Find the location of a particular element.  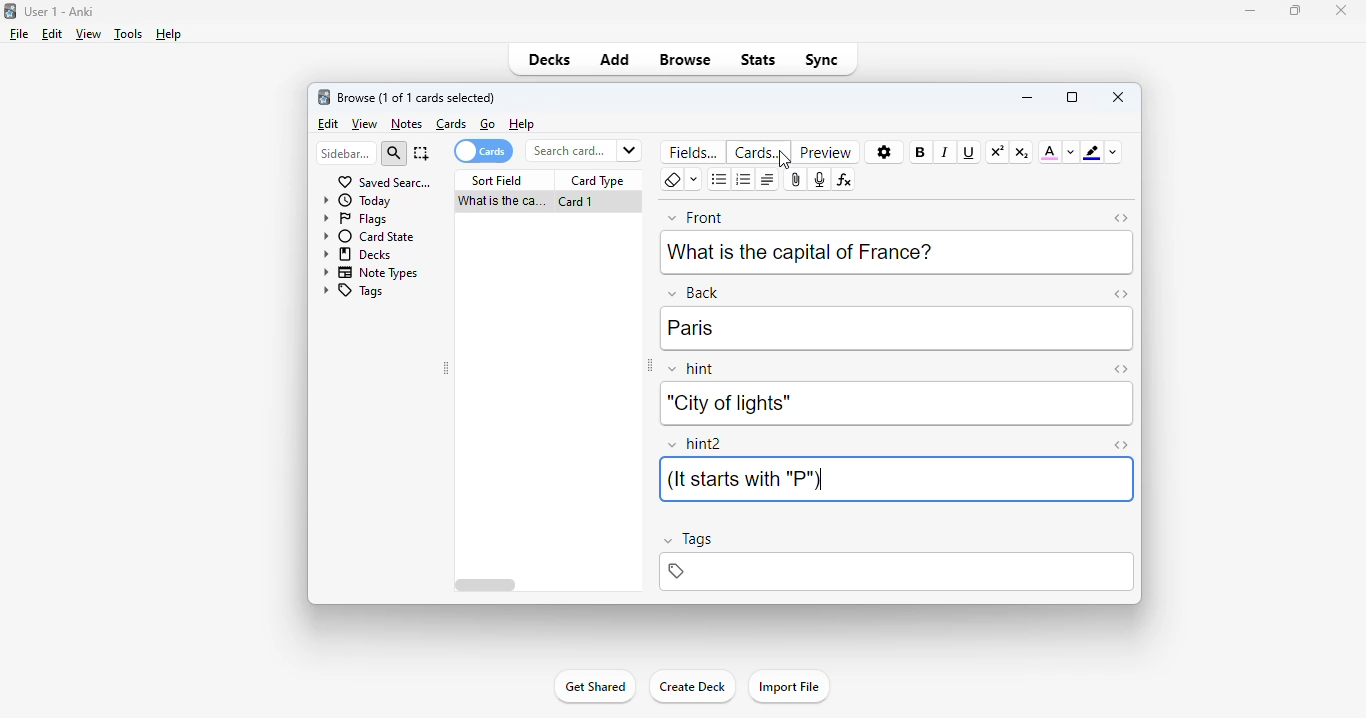

toggle HTML editor is located at coordinates (1122, 218).